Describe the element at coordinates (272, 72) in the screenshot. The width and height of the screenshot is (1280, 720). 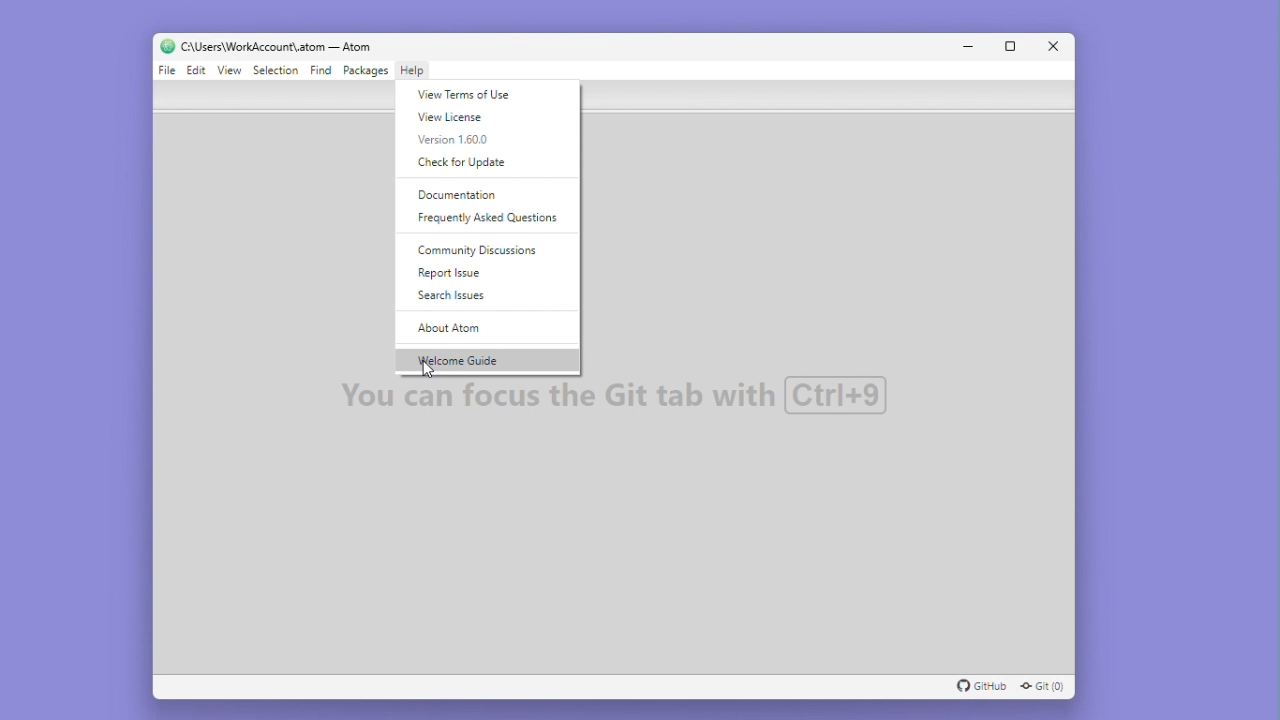
I see `Selection` at that location.